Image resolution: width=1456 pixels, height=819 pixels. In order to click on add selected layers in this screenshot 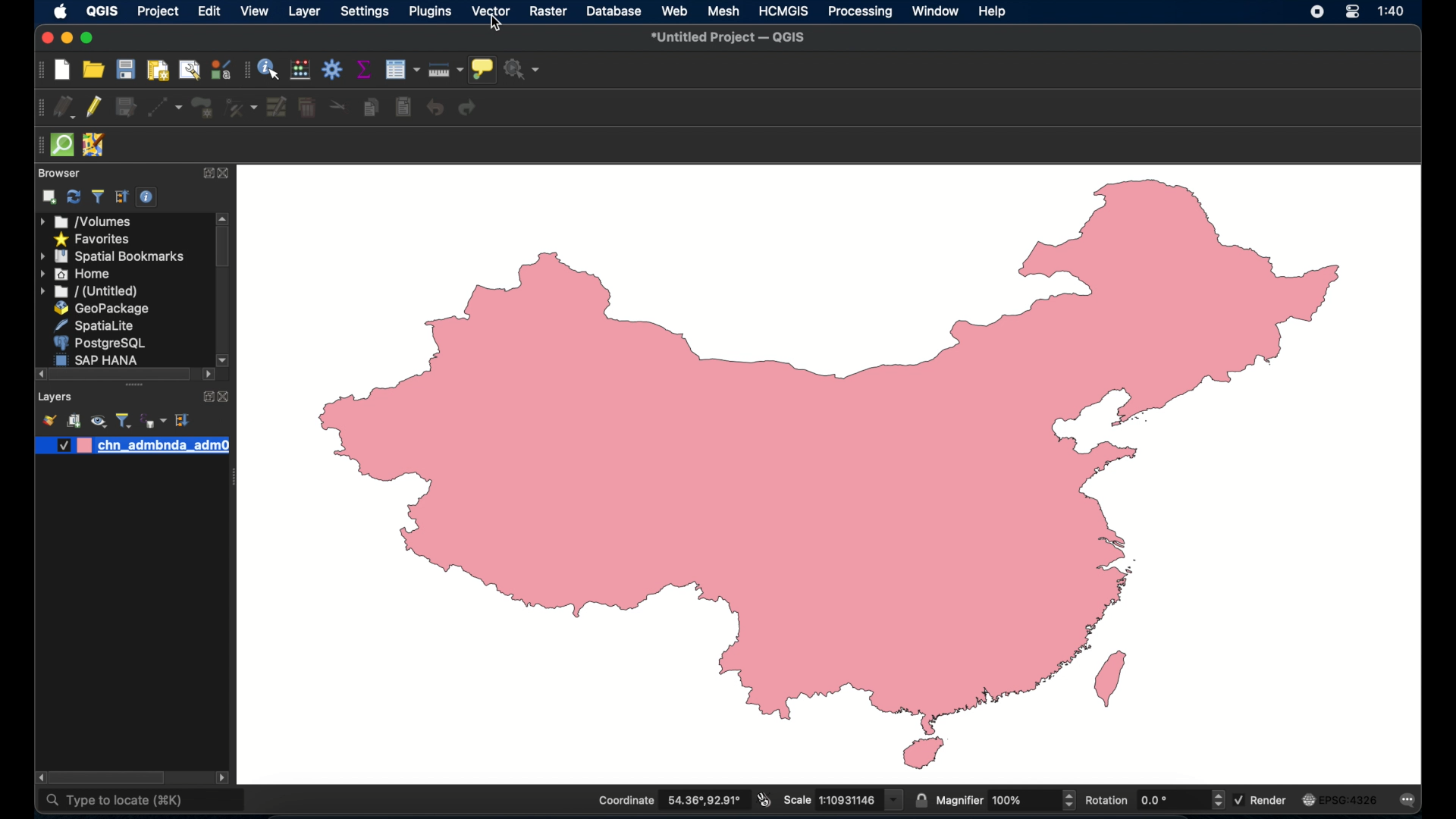, I will do `click(50, 197)`.